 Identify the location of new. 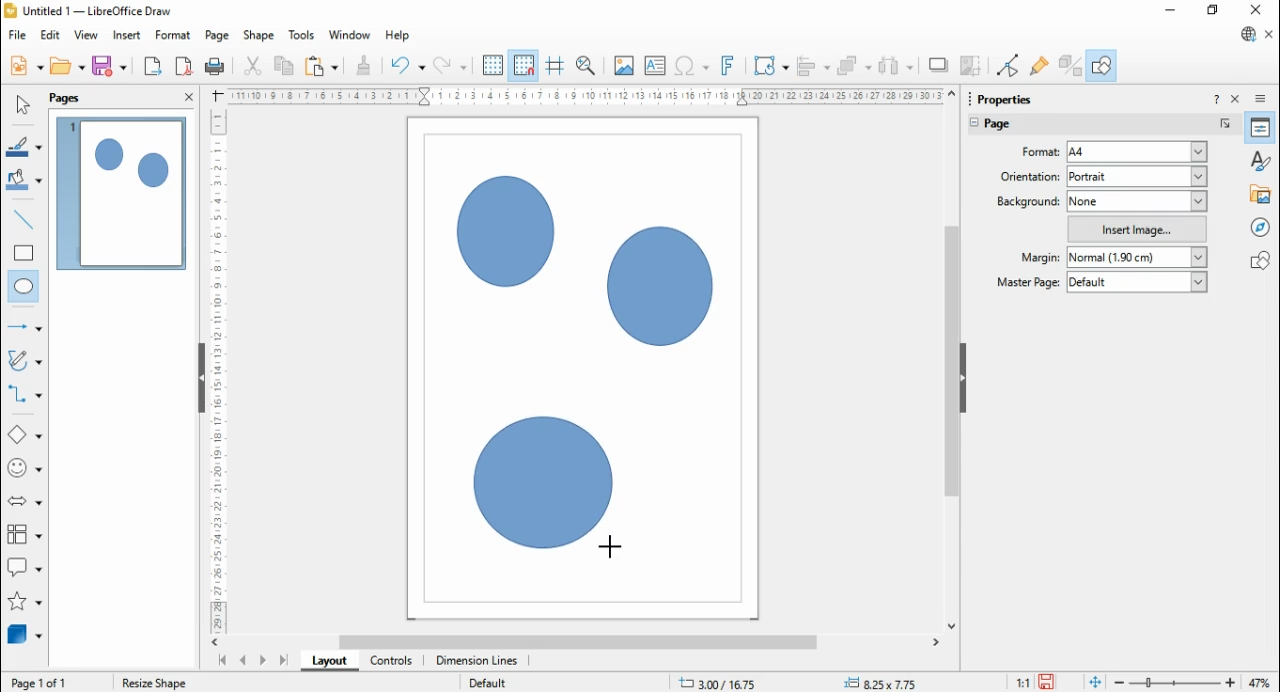
(26, 65).